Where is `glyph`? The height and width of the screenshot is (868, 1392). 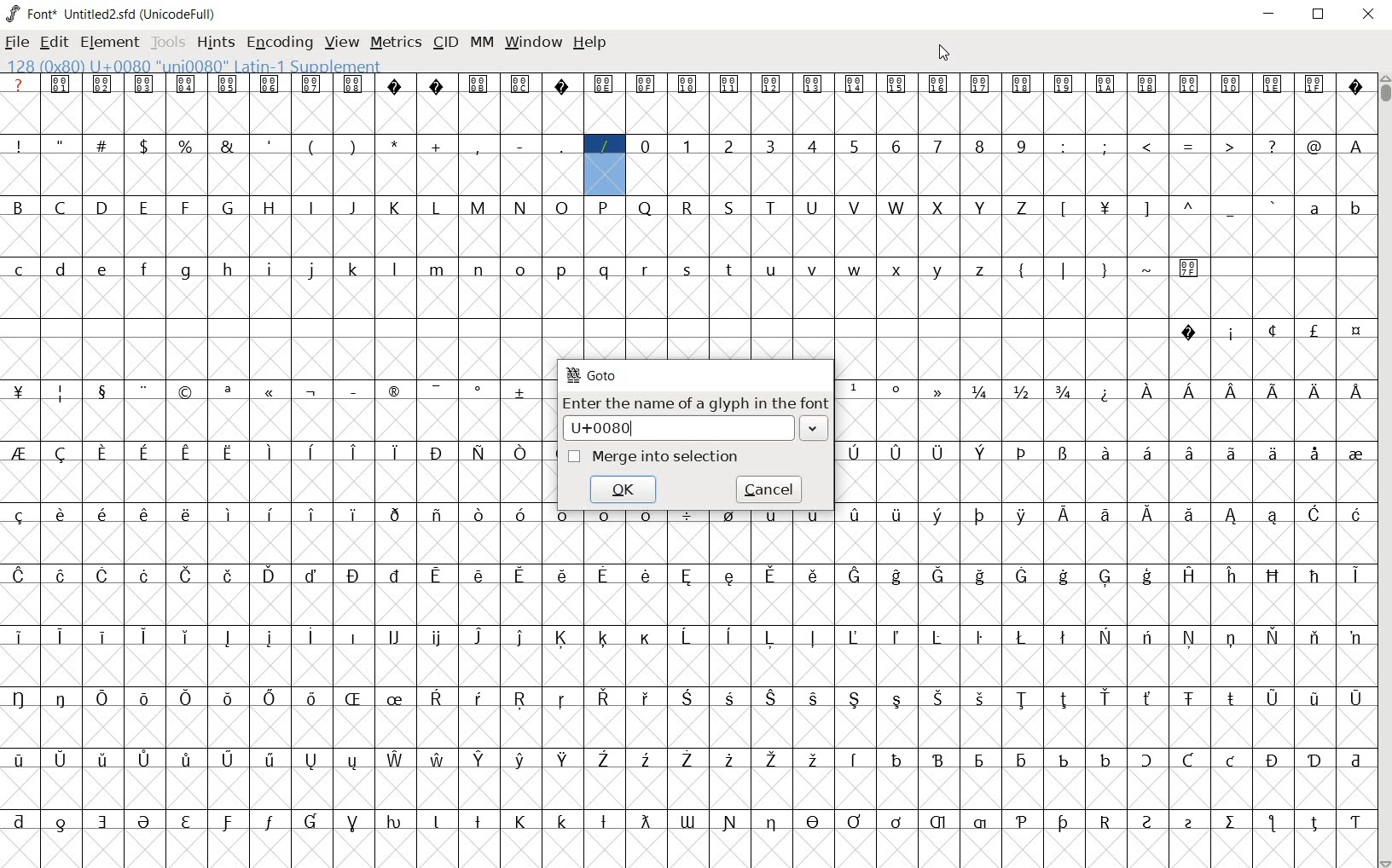 glyph is located at coordinates (143, 822).